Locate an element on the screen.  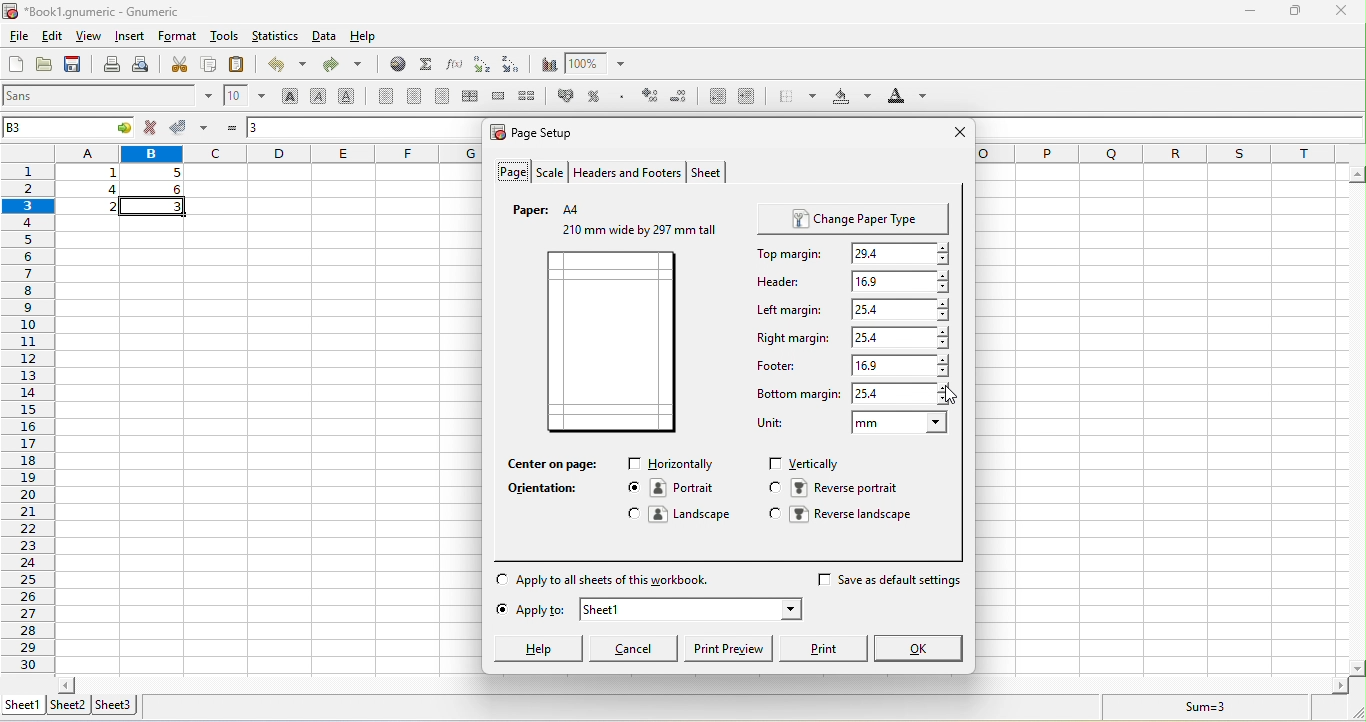
sheet 1 is located at coordinates (23, 703).